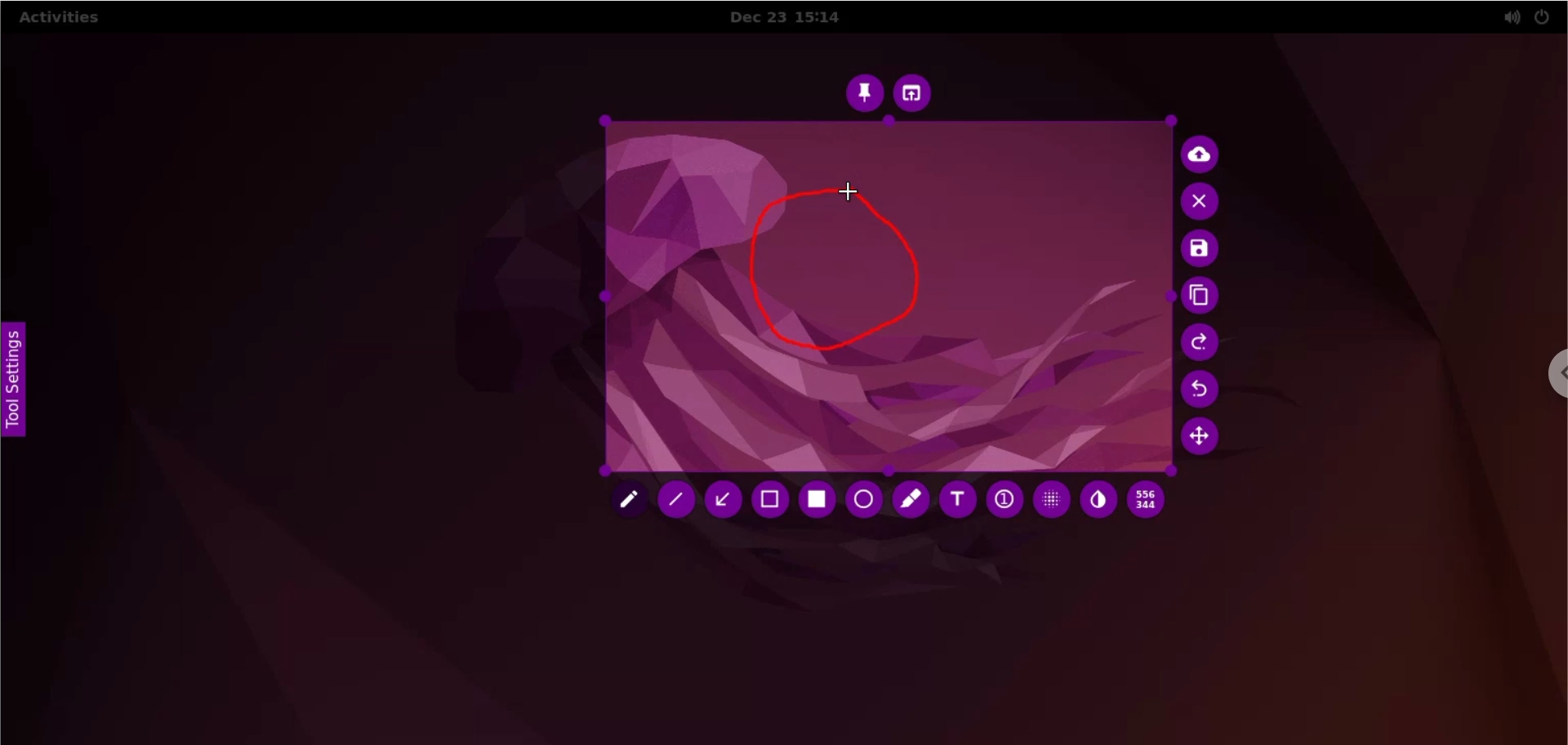 The image size is (1568, 745). I want to click on cursor, so click(846, 192).